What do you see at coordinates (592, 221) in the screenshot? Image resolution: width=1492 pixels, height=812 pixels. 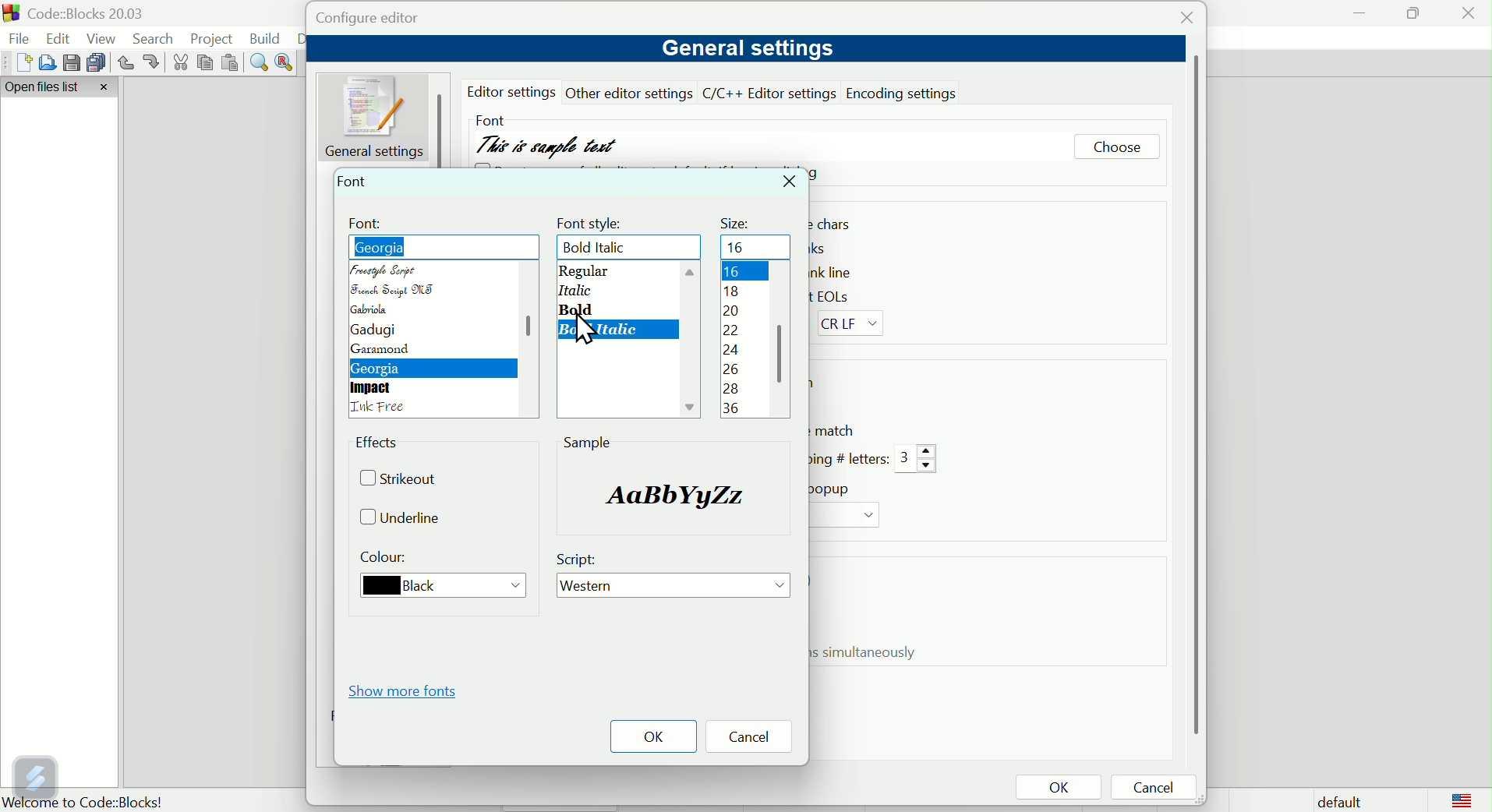 I see `font style` at bounding box center [592, 221].